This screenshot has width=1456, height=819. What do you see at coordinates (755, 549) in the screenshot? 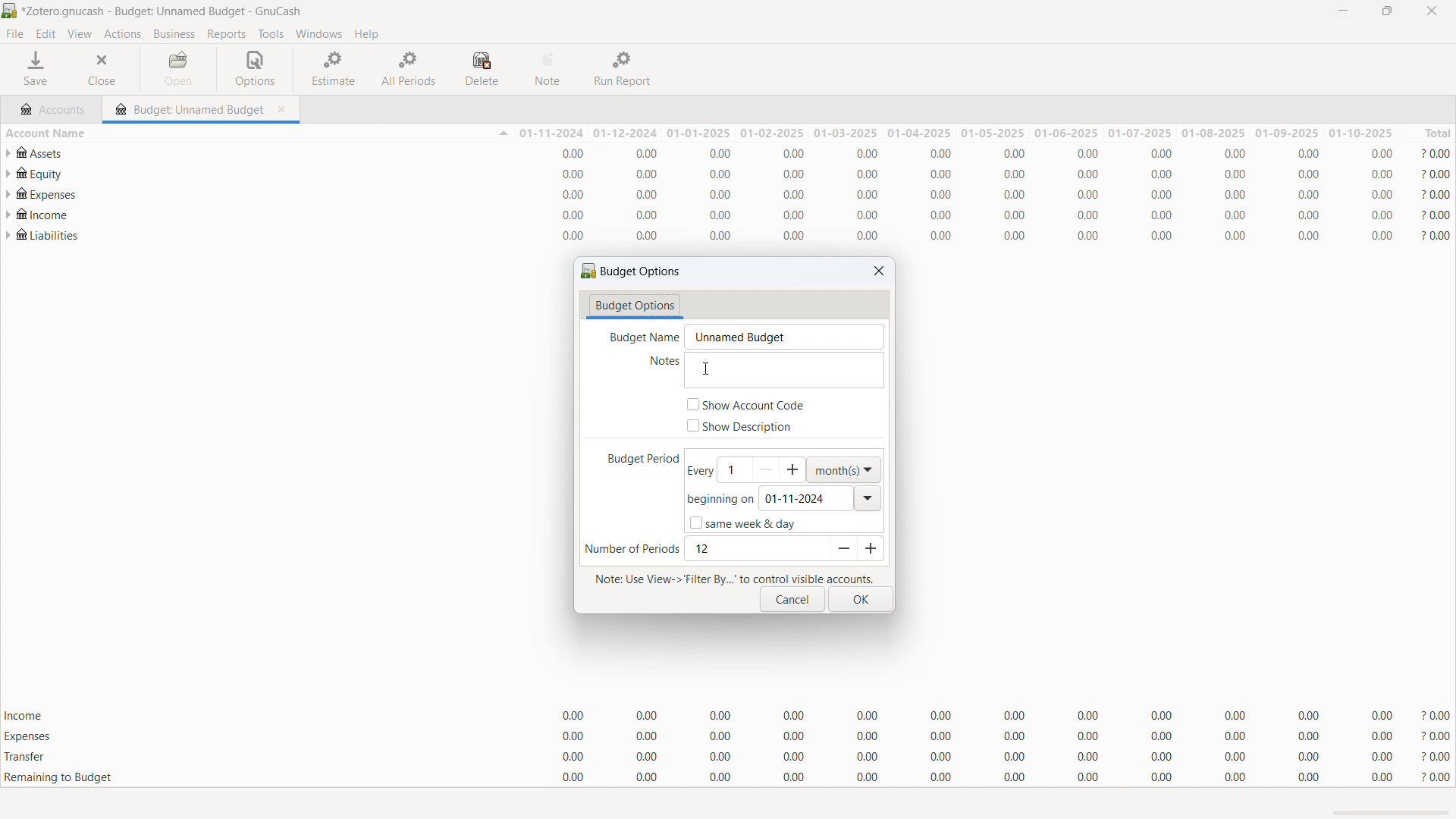
I see `set number of periods` at bounding box center [755, 549].